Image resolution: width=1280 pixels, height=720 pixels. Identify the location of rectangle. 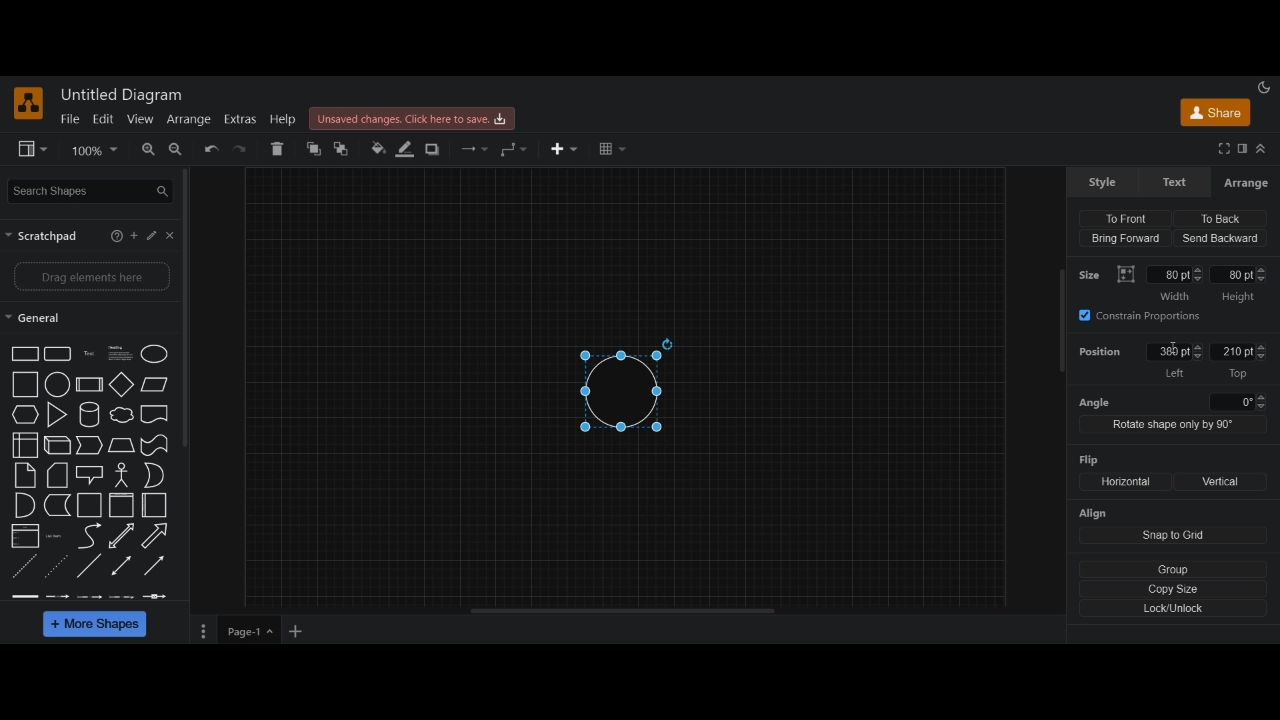
(58, 354).